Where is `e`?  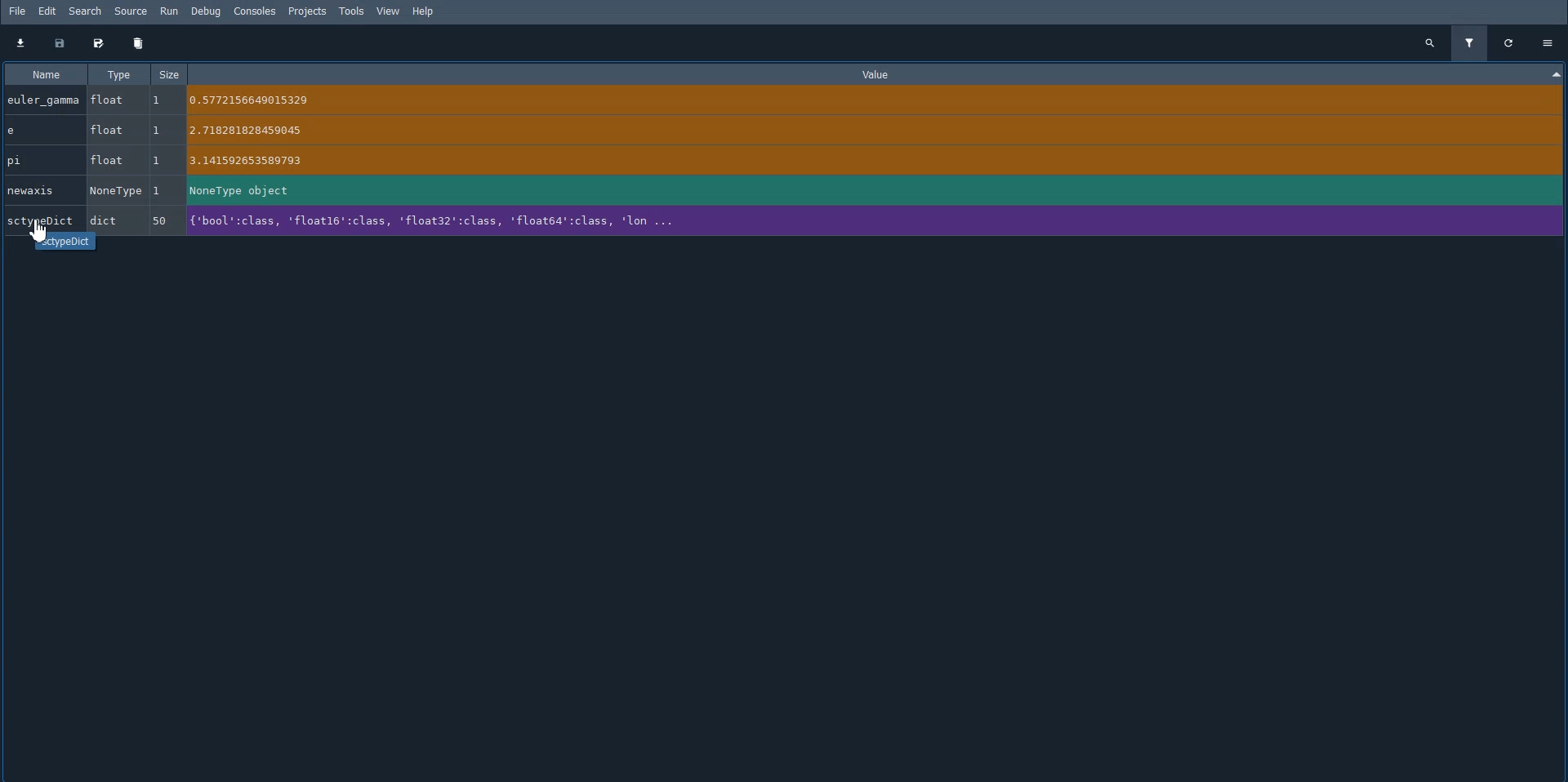
e is located at coordinates (285, 131).